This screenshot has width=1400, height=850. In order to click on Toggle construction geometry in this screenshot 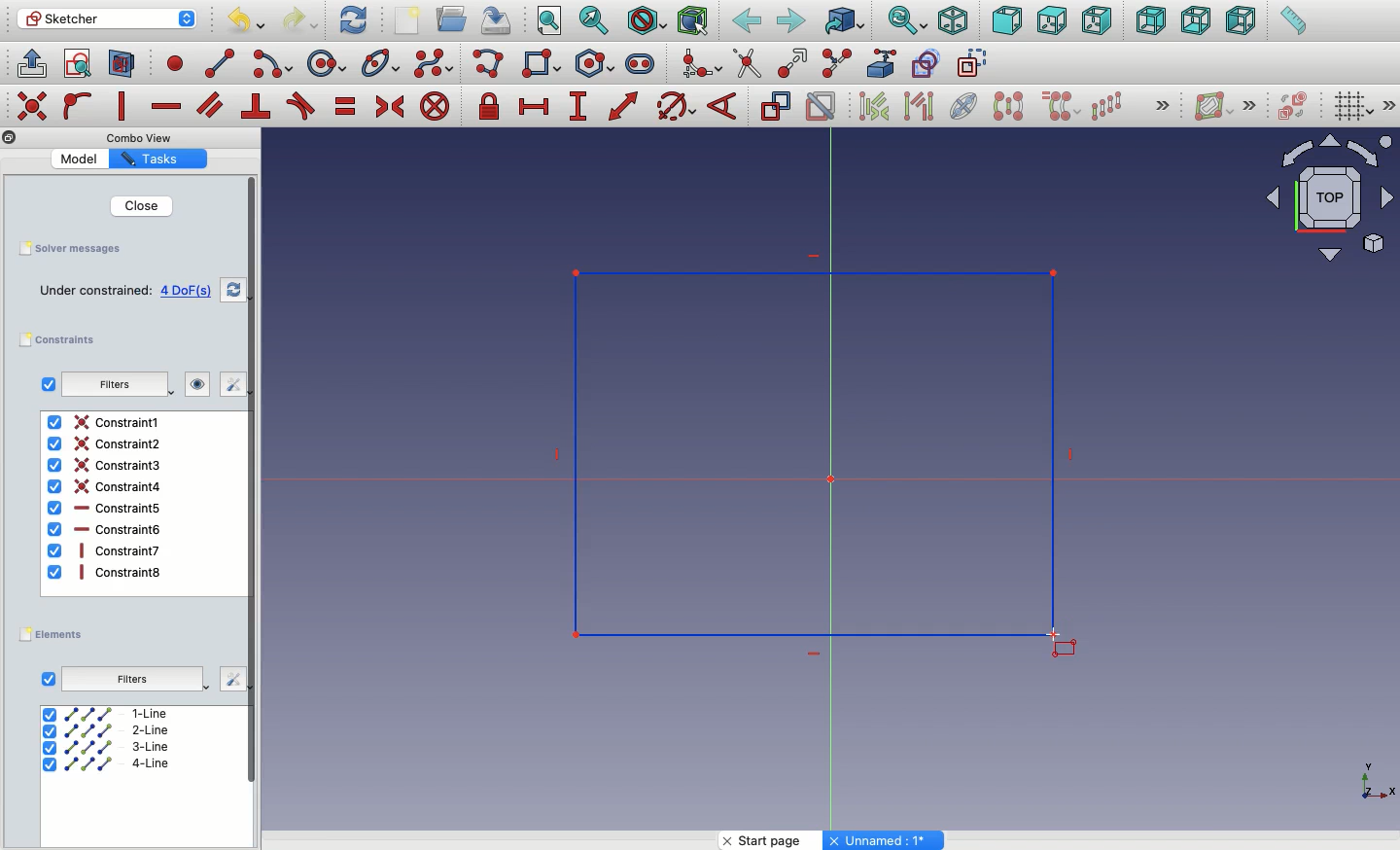, I will do `click(973, 62)`.